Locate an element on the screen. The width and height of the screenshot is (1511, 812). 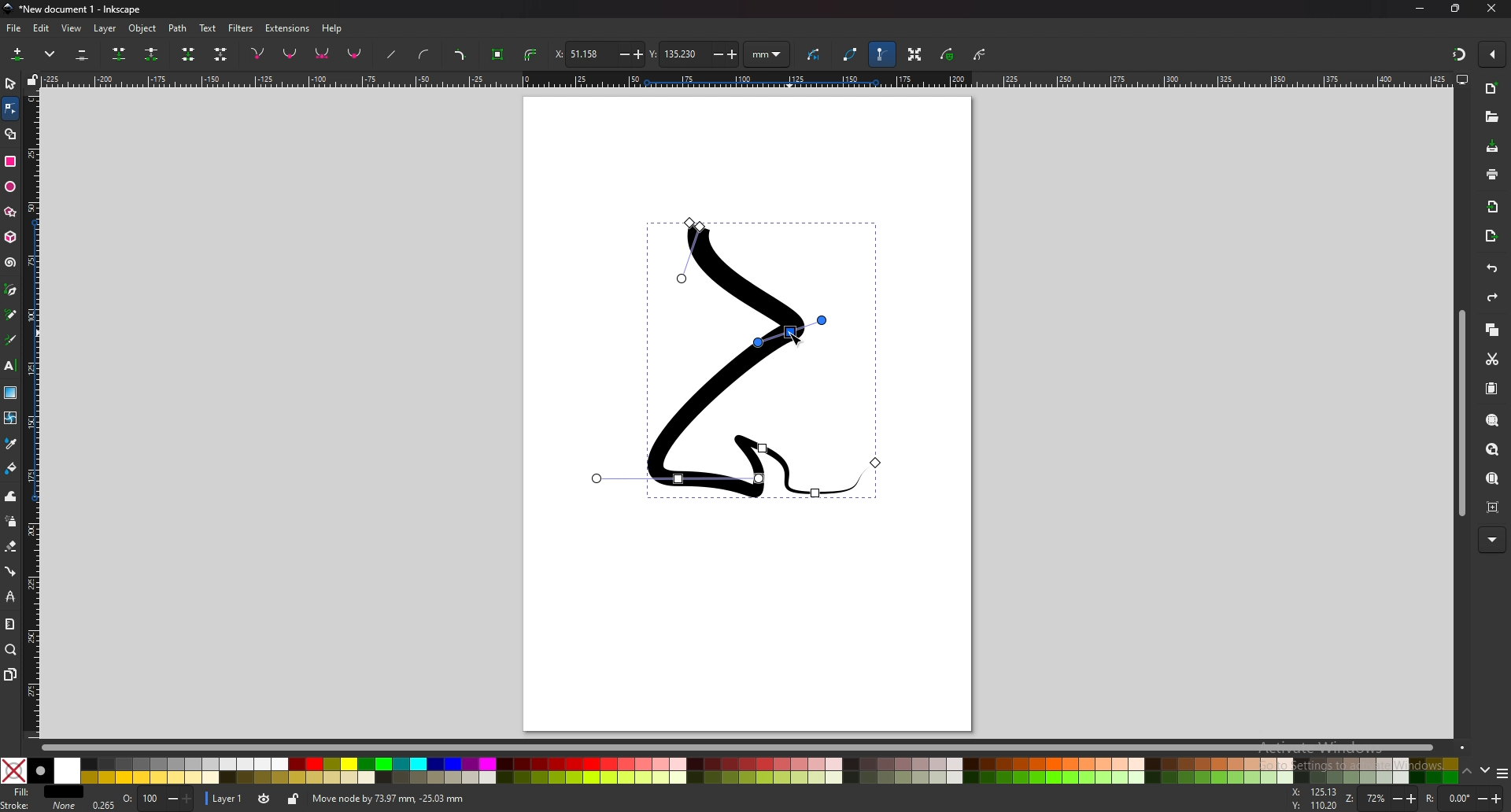
show clipping path is located at coordinates (981, 54).